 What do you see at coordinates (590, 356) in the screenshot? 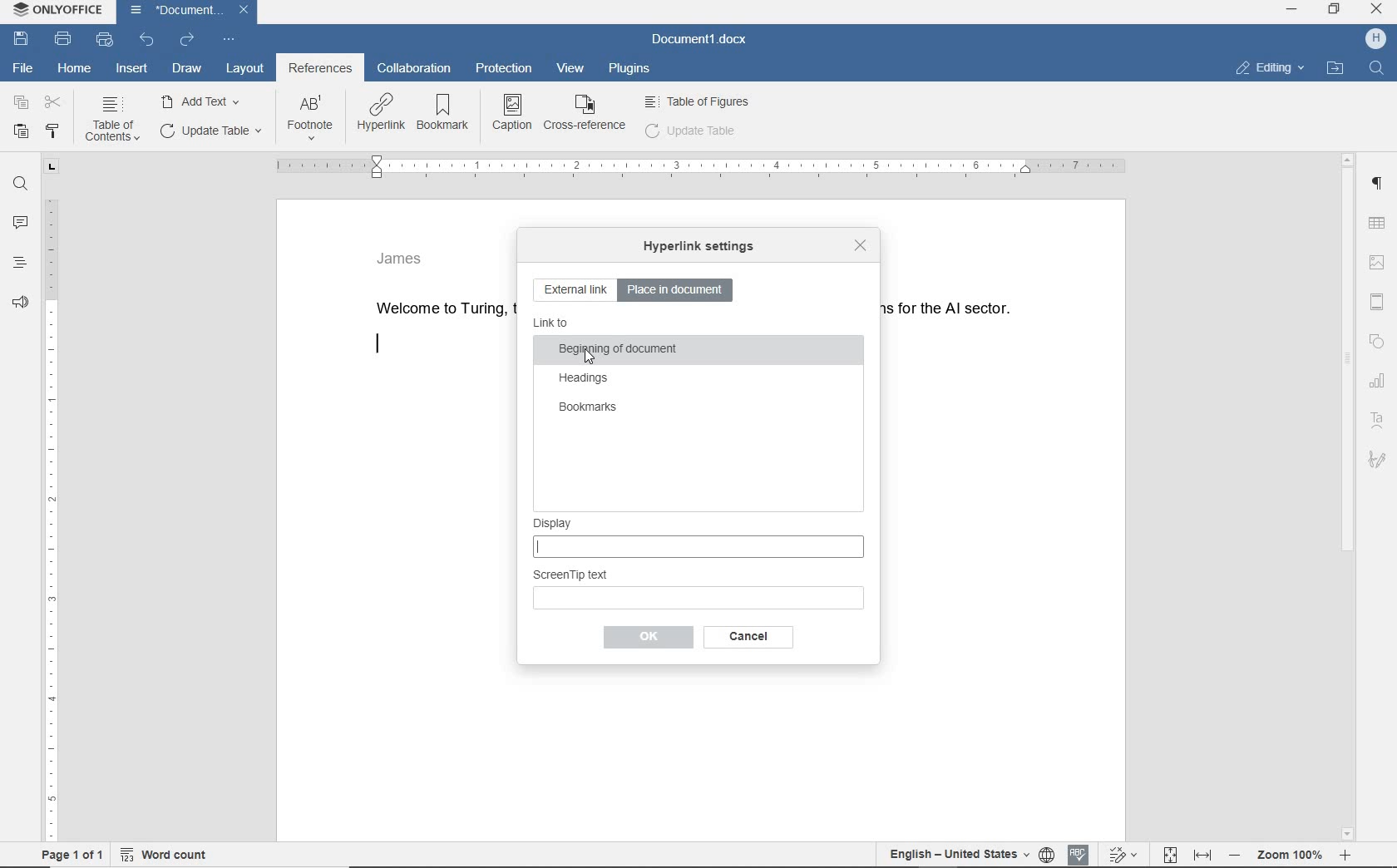
I see `Cursor` at bounding box center [590, 356].